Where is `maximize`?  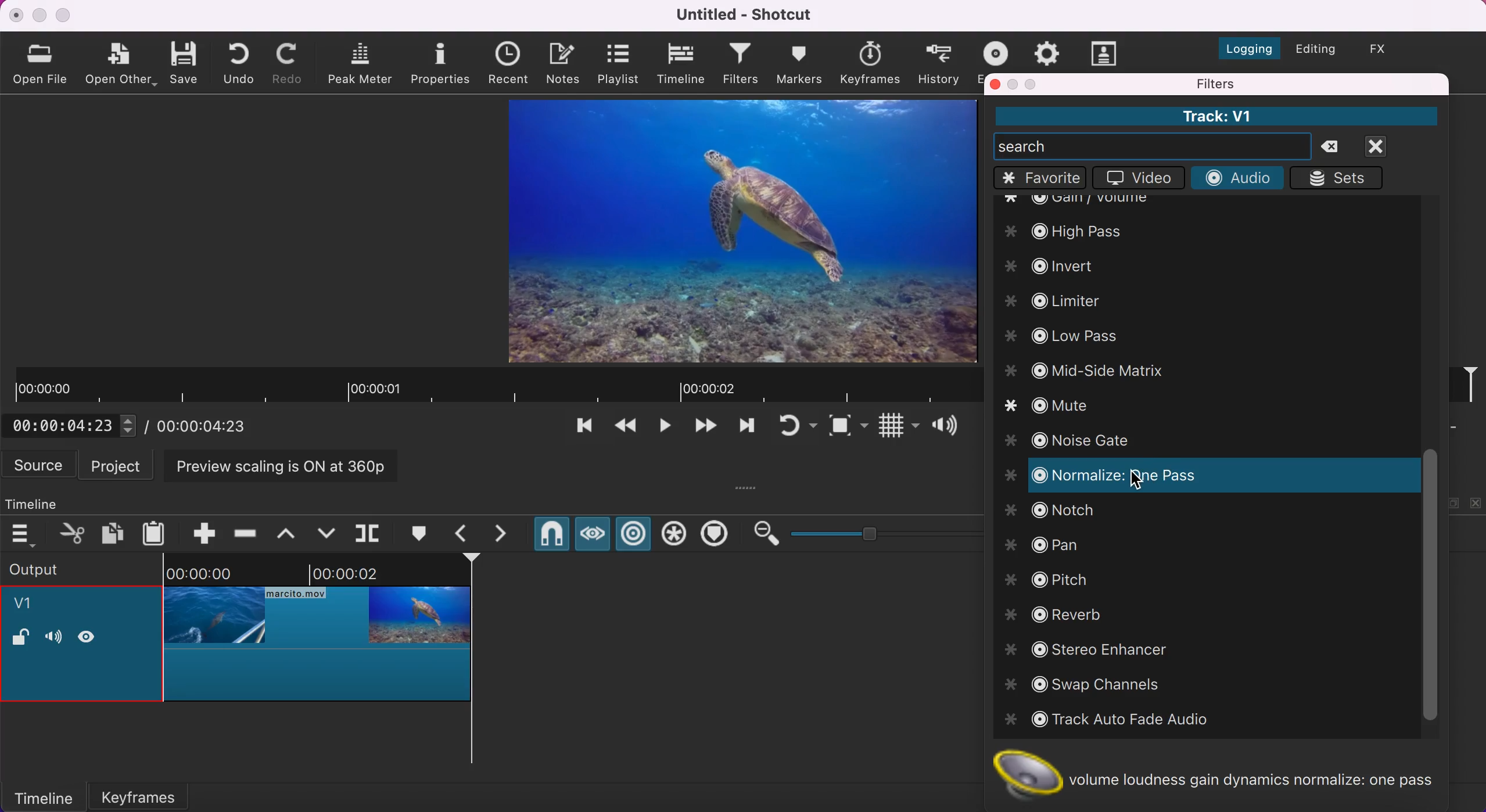 maximize is located at coordinates (65, 15).